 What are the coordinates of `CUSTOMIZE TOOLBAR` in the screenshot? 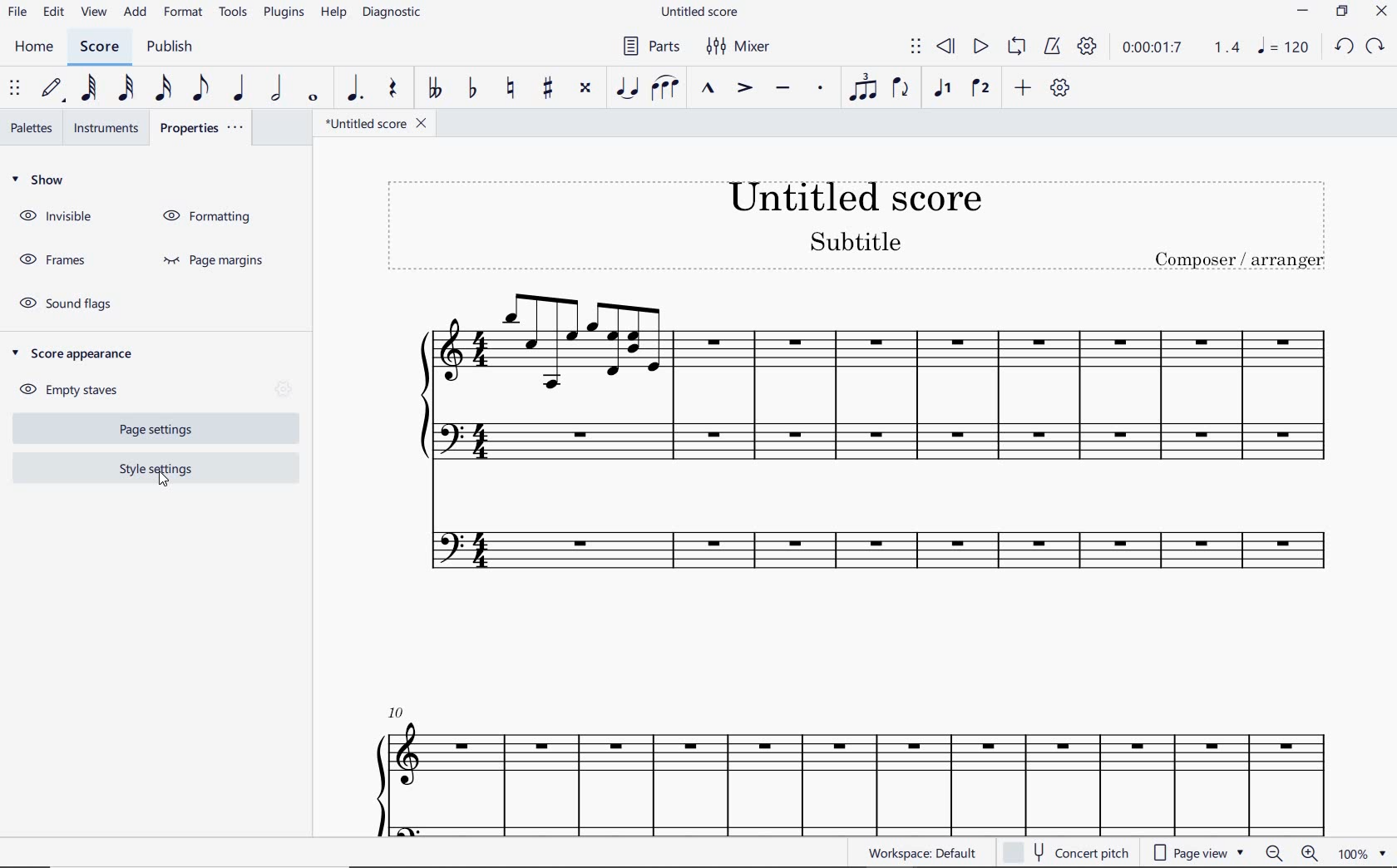 It's located at (1059, 88).